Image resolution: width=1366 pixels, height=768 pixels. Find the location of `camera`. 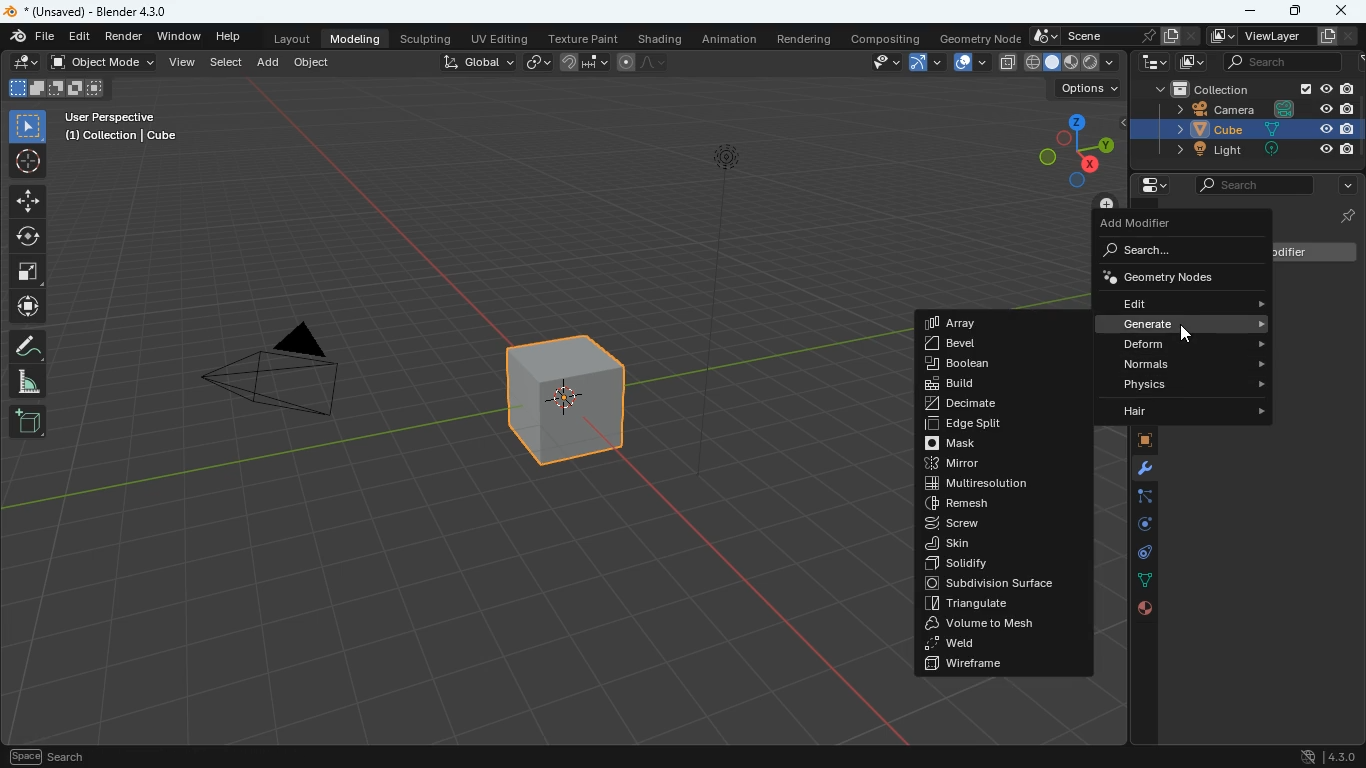

camera is located at coordinates (1251, 109).